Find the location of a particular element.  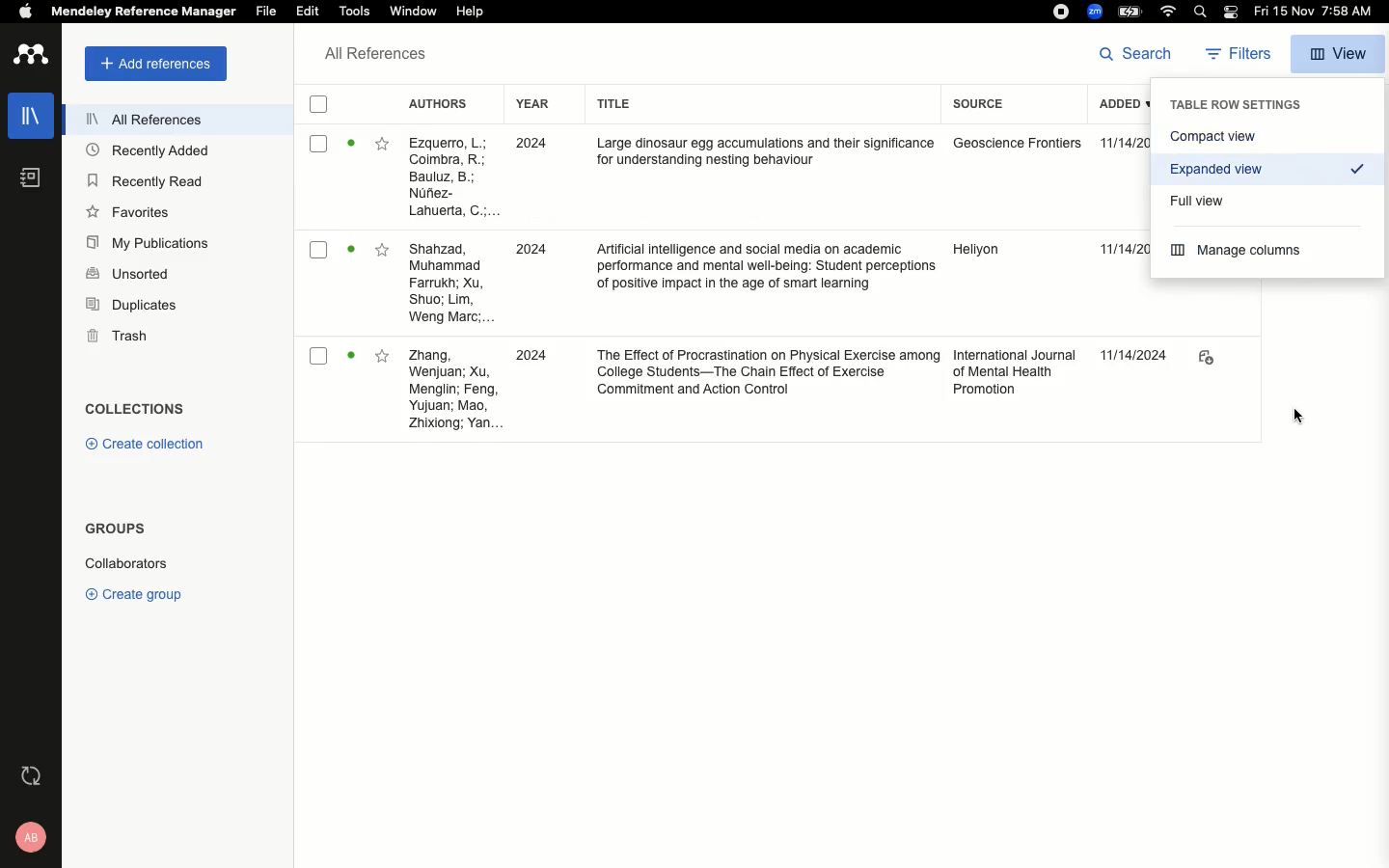

Active is located at coordinates (351, 248).